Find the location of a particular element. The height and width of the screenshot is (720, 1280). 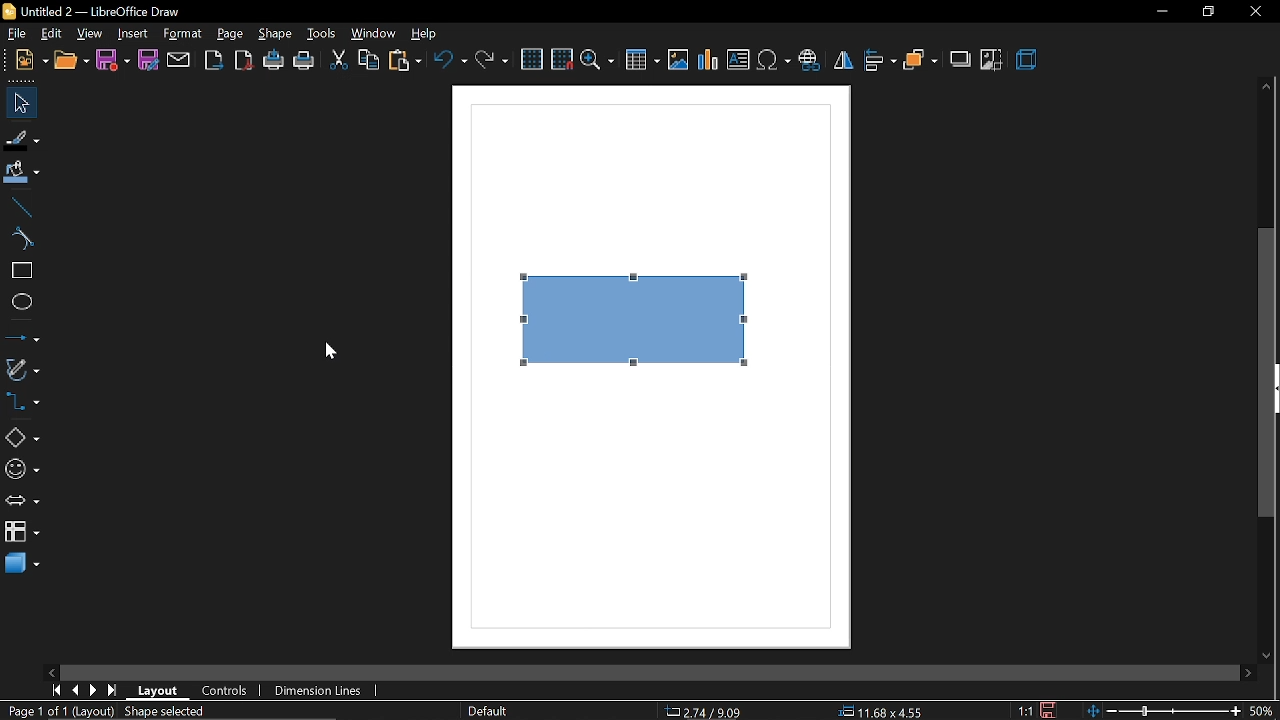

insert hyperlink is located at coordinates (810, 59).